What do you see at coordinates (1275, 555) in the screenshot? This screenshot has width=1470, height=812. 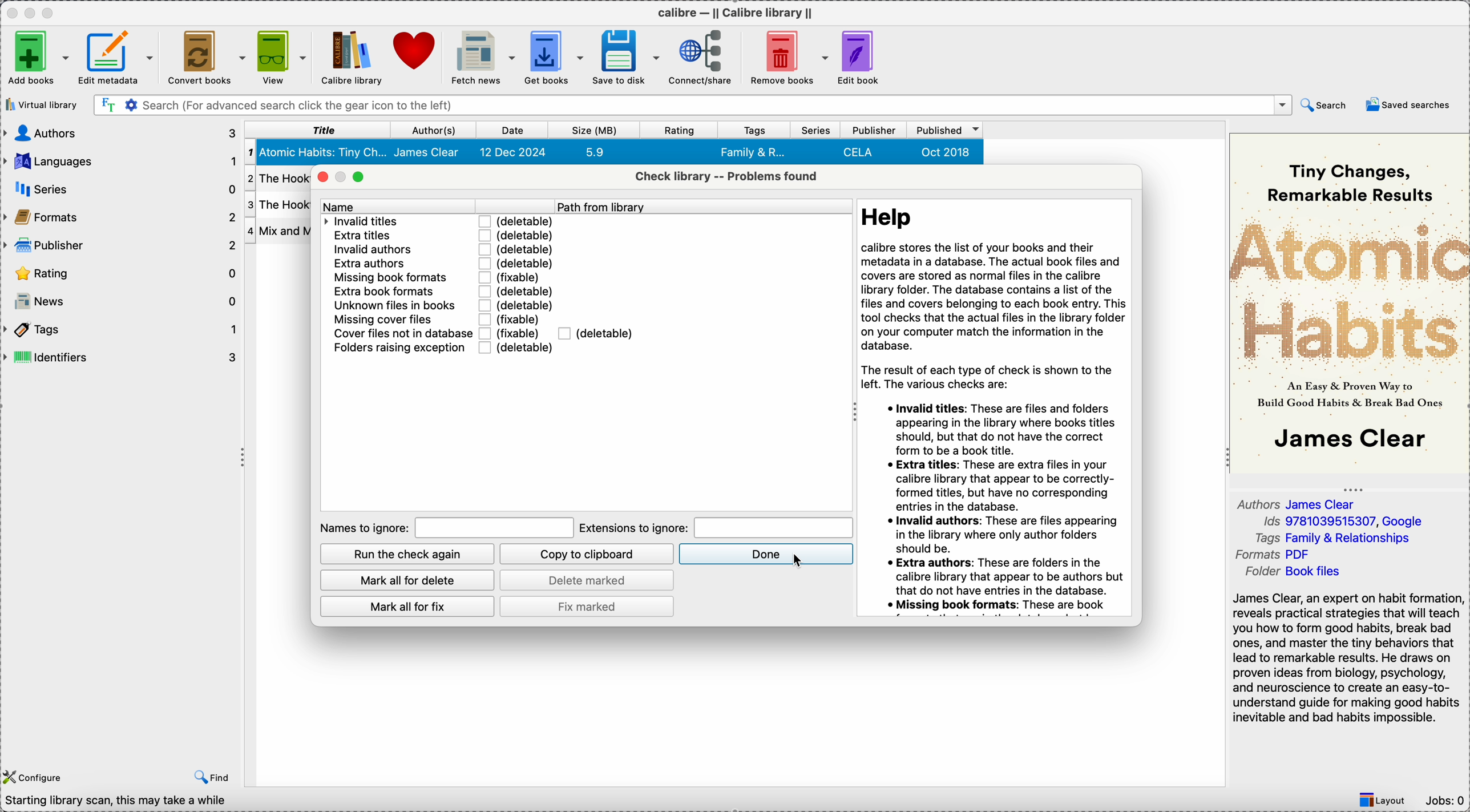 I see `format` at bounding box center [1275, 555].